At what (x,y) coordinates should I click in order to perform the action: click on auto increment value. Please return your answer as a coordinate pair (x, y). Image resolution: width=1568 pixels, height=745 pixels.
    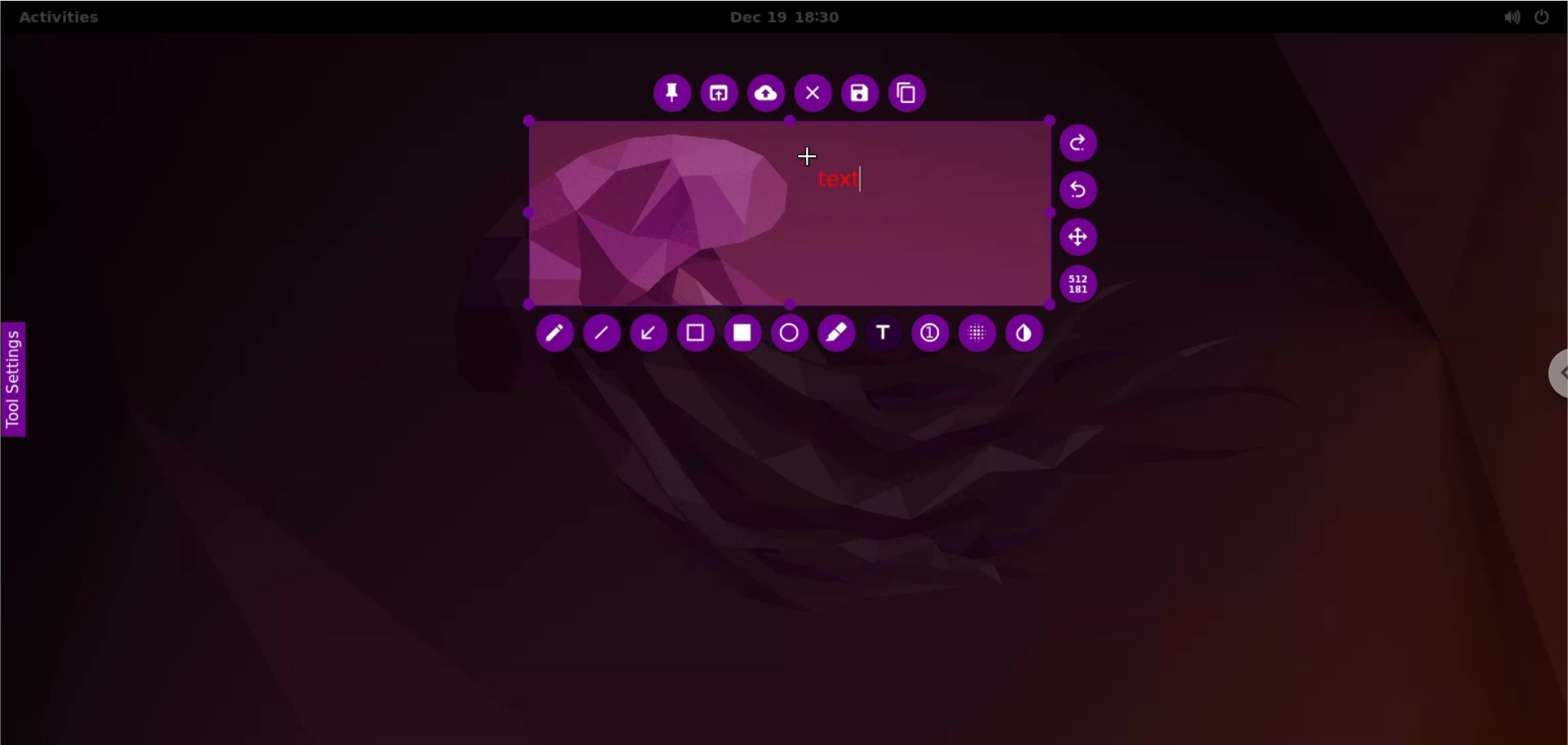
    Looking at the image, I should click on (929, 330).